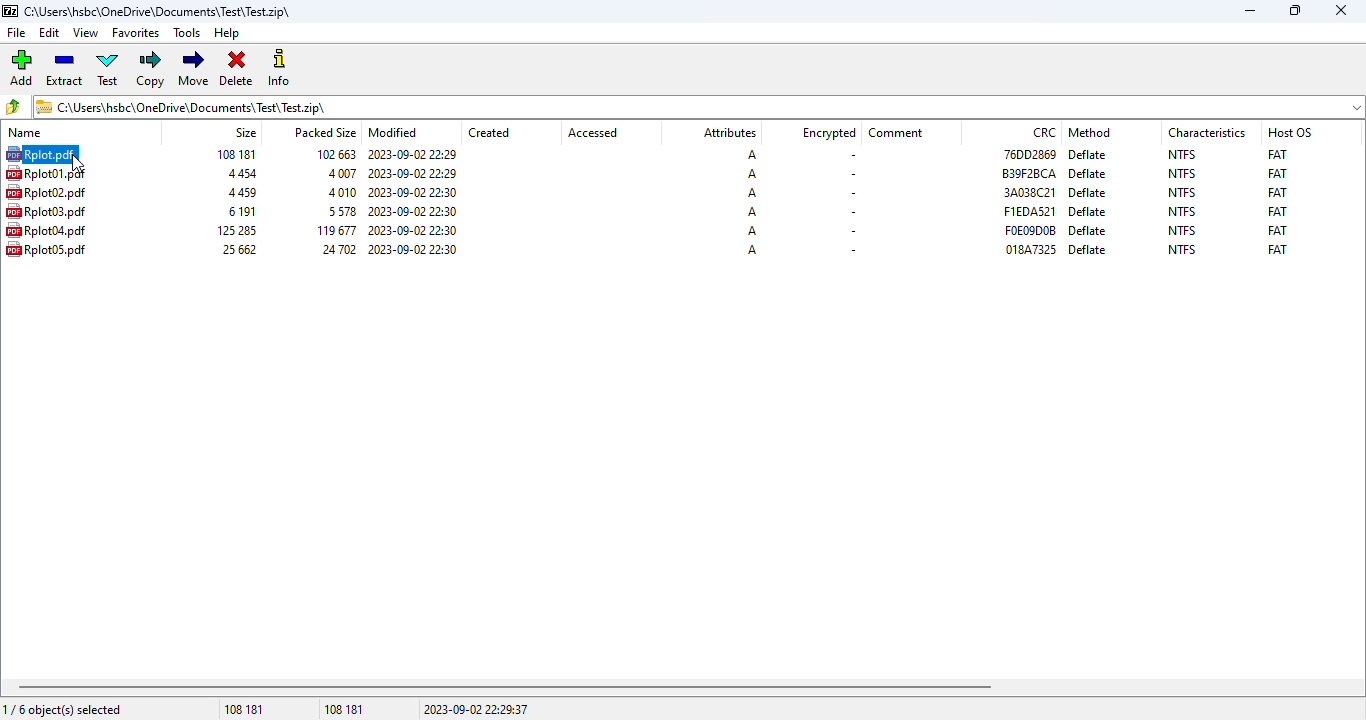  I want to click on file, so click(46, 230).